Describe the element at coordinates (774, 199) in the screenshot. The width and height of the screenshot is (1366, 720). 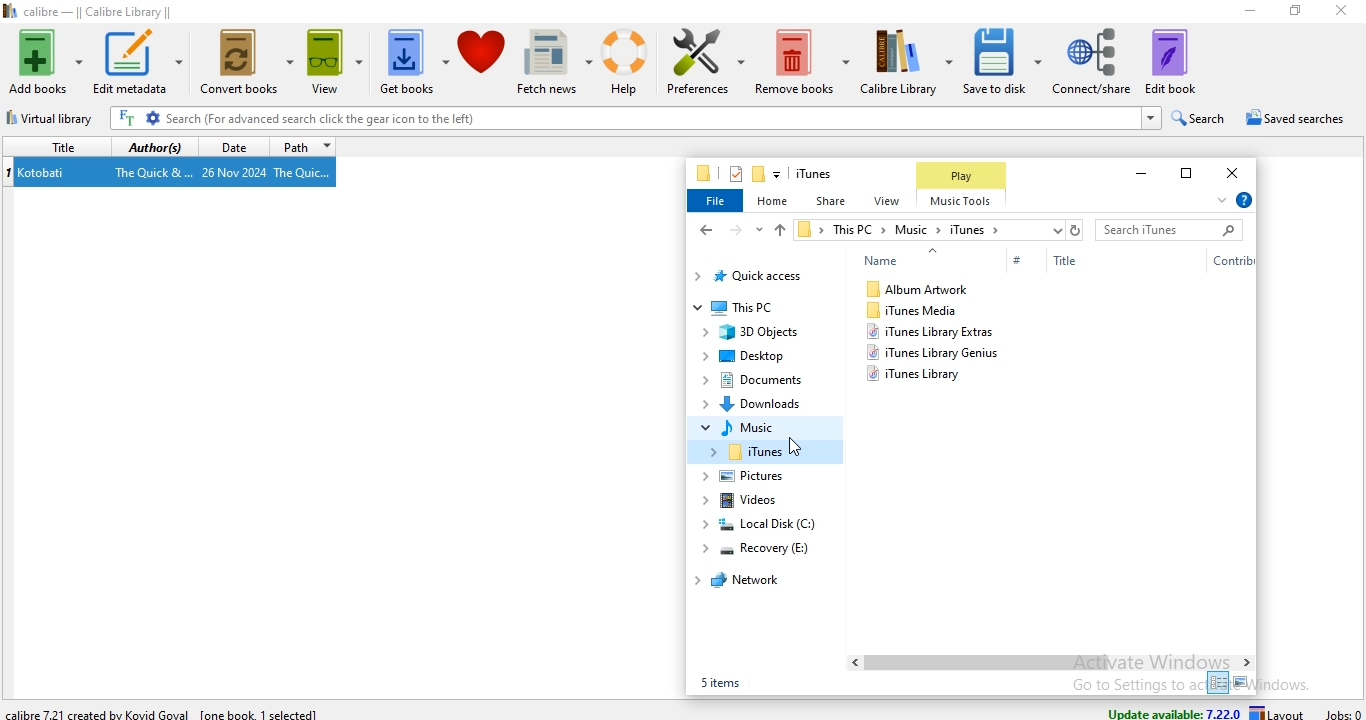
I see `home` at that location.